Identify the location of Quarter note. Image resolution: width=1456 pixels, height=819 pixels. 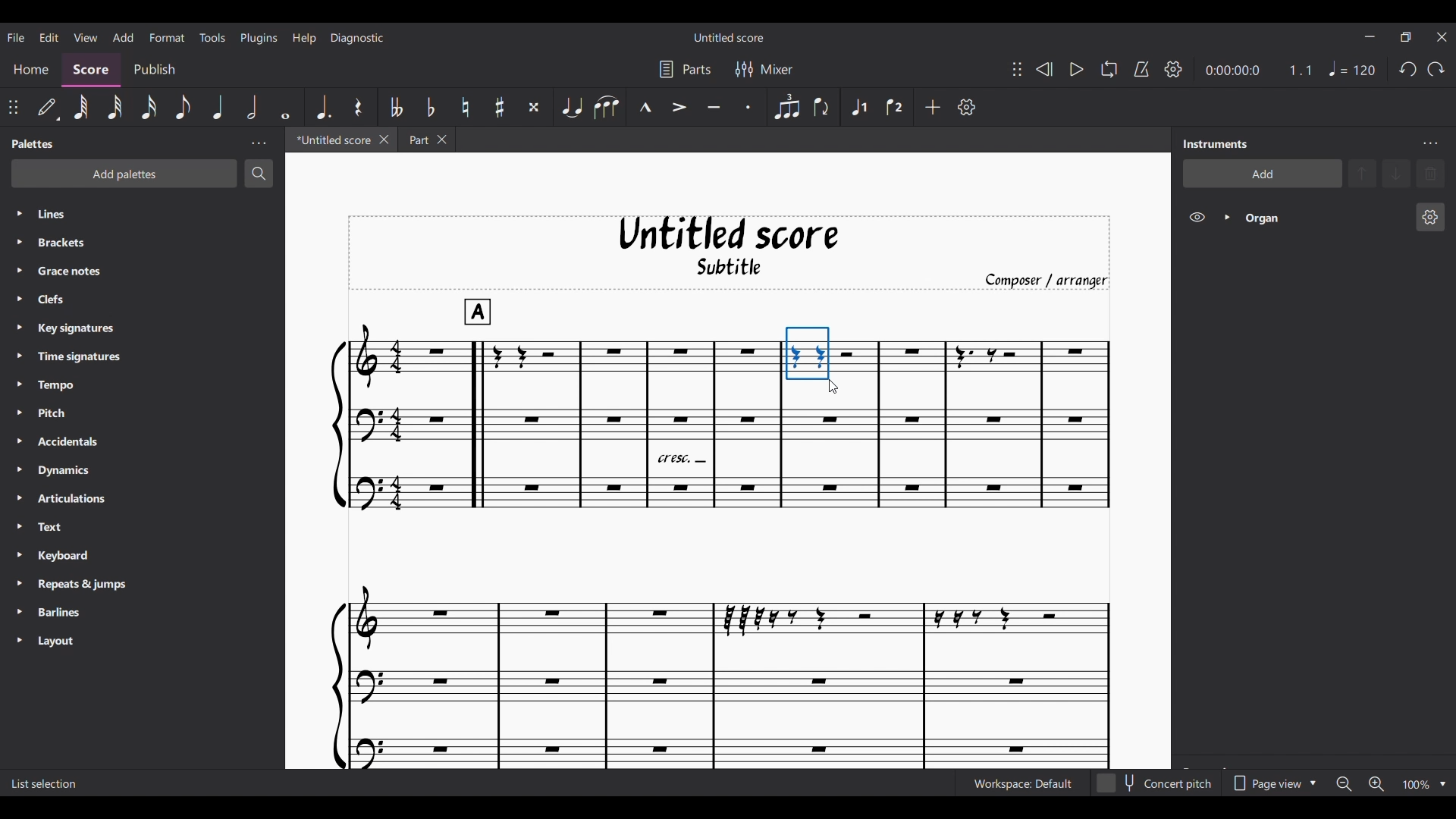
(217, 108).